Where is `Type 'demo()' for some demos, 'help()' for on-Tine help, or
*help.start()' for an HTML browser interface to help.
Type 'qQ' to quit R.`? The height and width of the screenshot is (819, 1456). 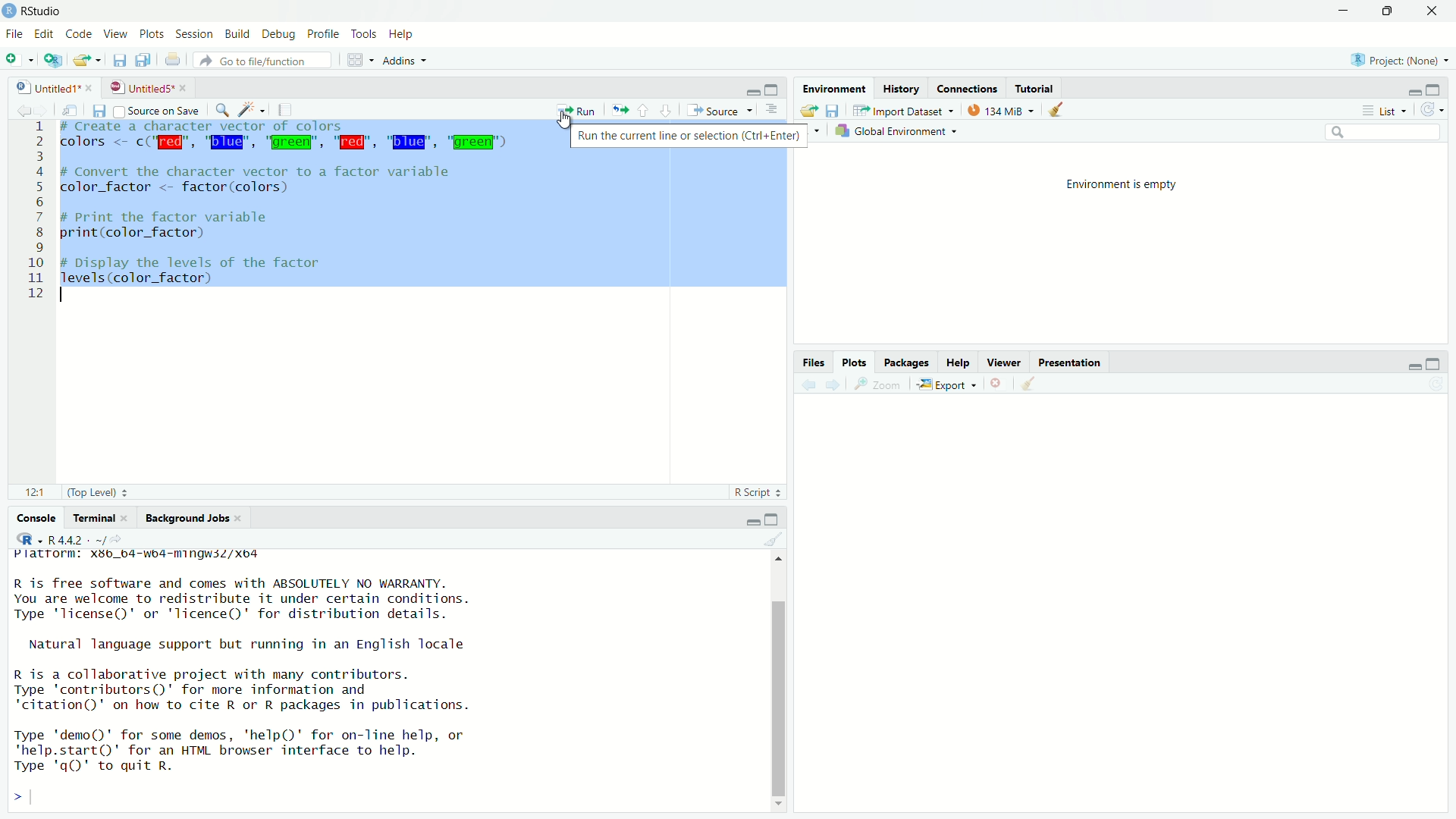
Type 'demo()' for some demos, 'help()' for on-Tine help, or
*help.start()' for an HTML browser interface to help.
Type 'qQ' to quit R. is located at coordinates (275, 748).